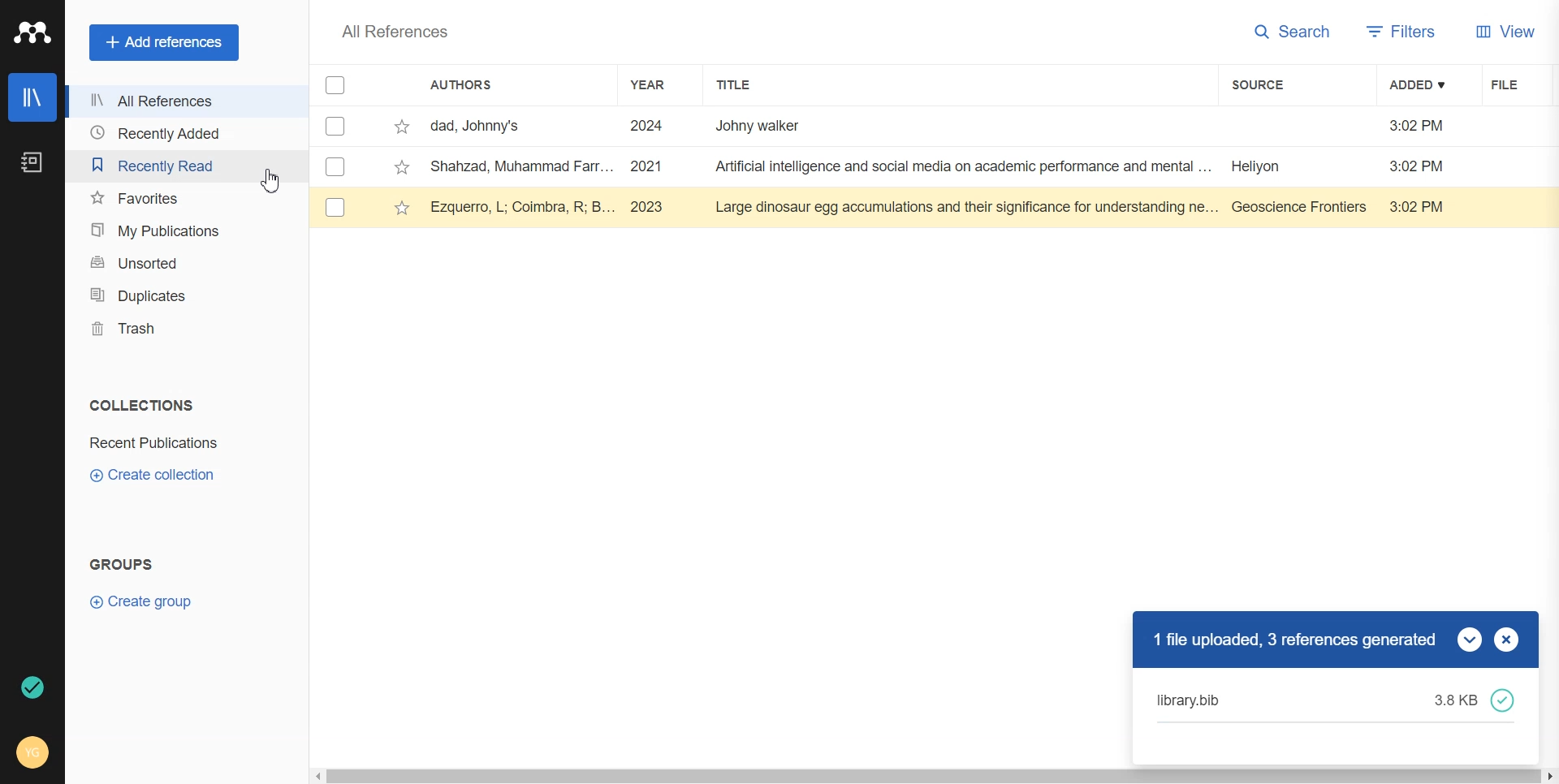  What do you see at coordinates (1419, 85) in the screenshot?
I see `Added` at bounding box center [1419, 85].